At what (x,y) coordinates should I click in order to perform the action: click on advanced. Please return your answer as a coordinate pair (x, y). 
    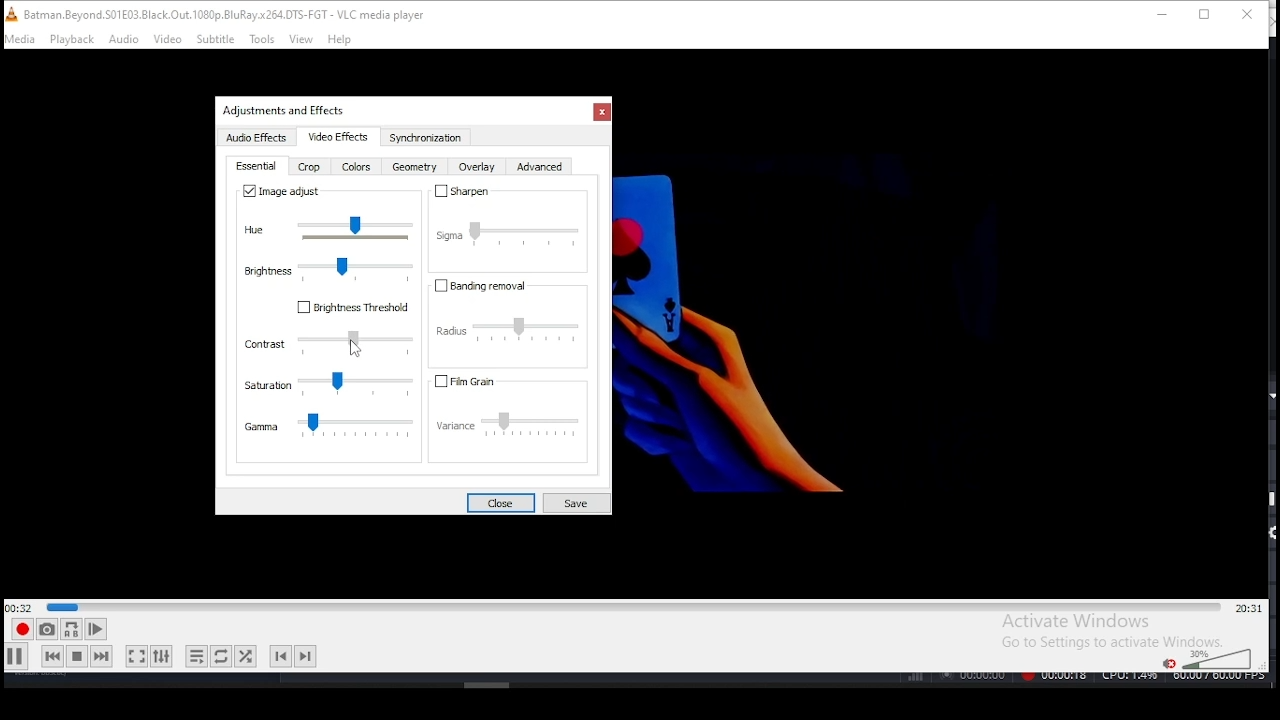
    Looking at the image, I should click on (540, 170).